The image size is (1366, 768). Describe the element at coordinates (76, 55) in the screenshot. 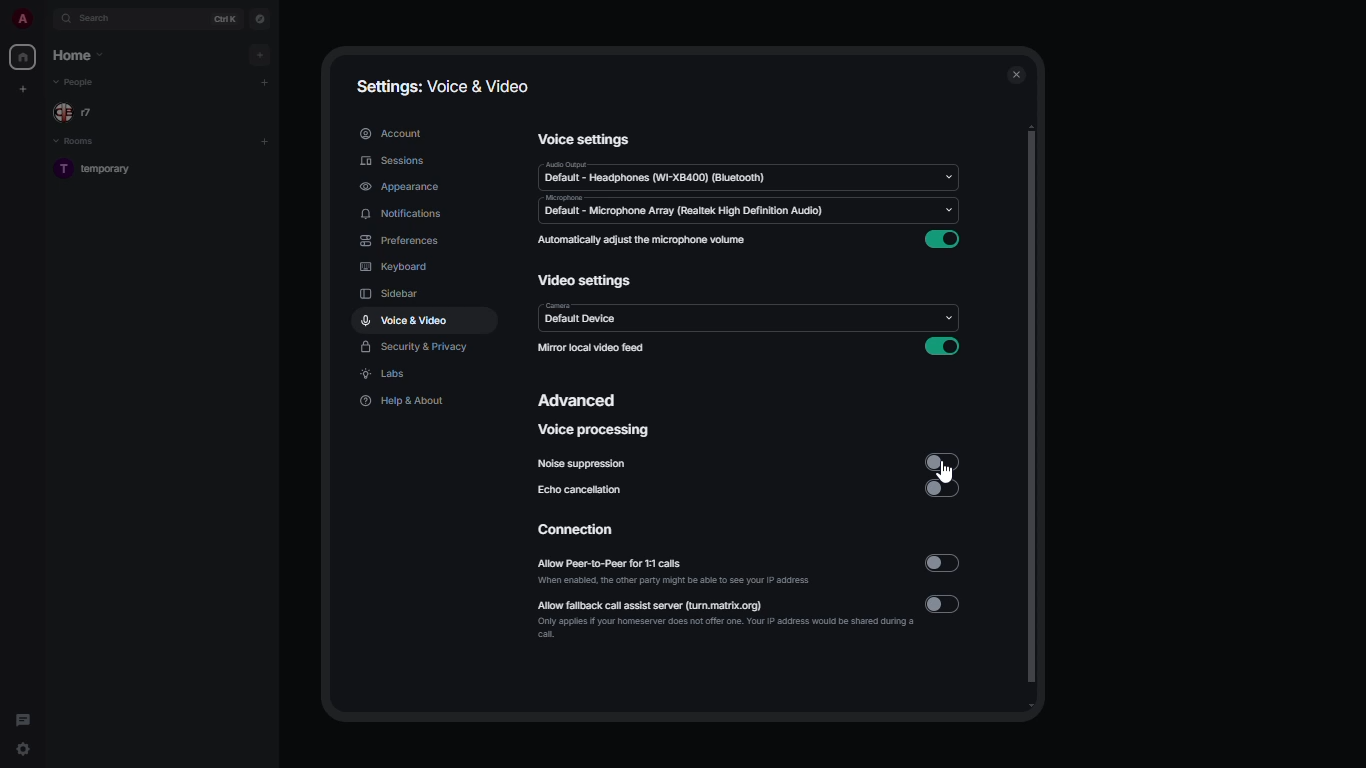

I see `home` at that location.